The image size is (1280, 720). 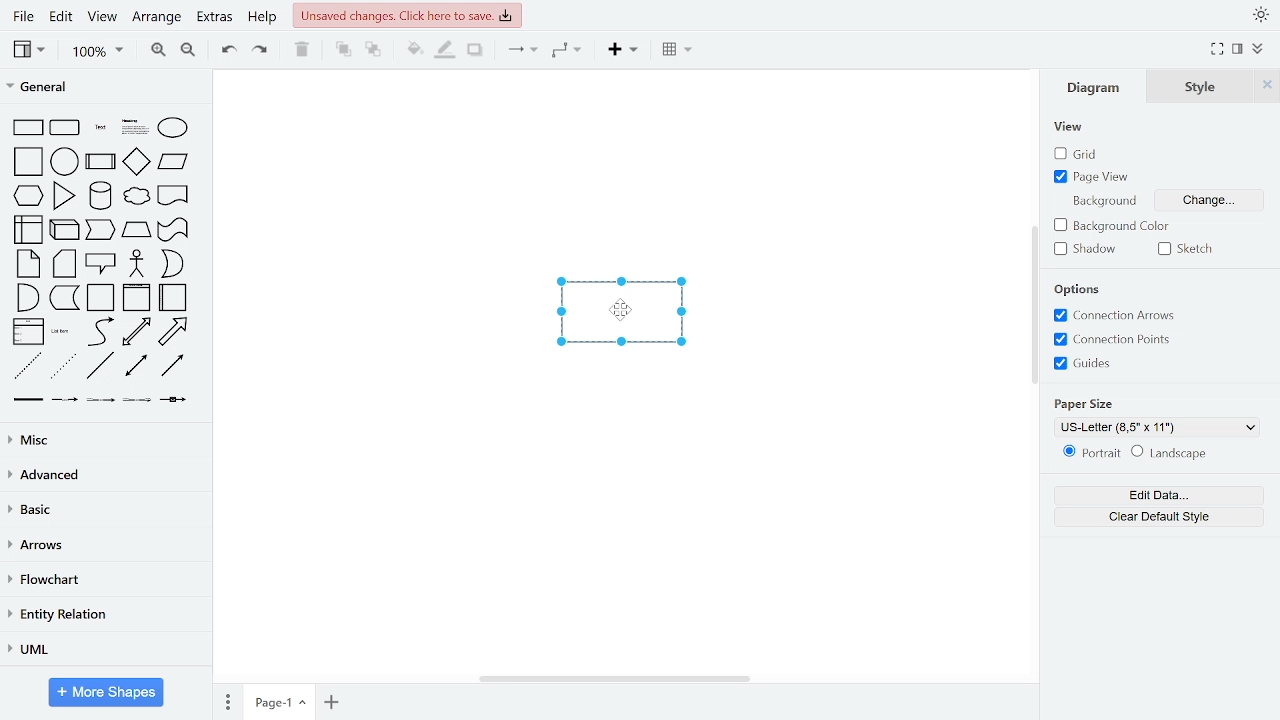 I want to click on general shapes, so click(x=26, y=126).